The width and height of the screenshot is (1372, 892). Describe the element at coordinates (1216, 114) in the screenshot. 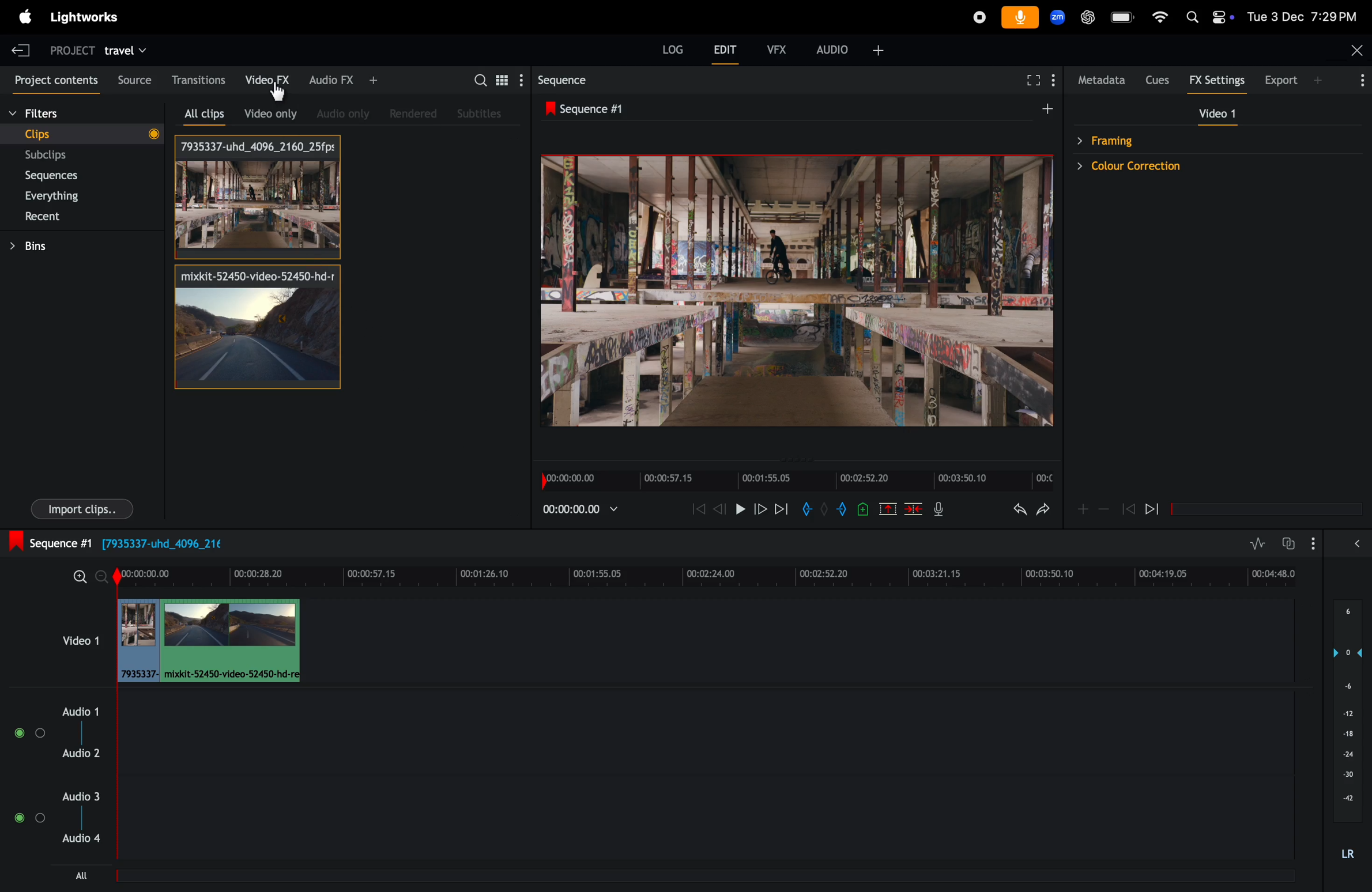

I see `video 1` at that location.